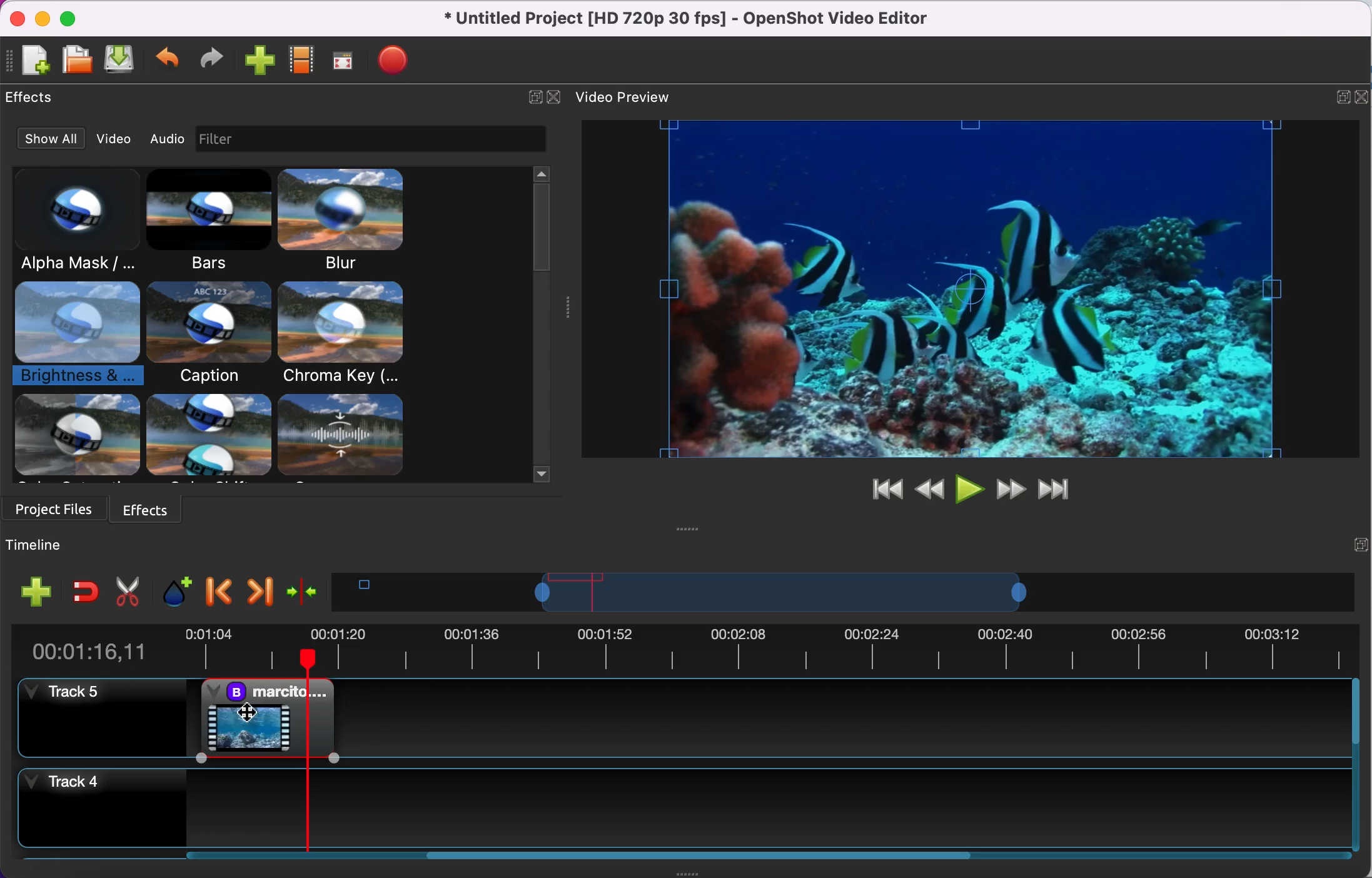  I want to click on add track, so click(33, 595).